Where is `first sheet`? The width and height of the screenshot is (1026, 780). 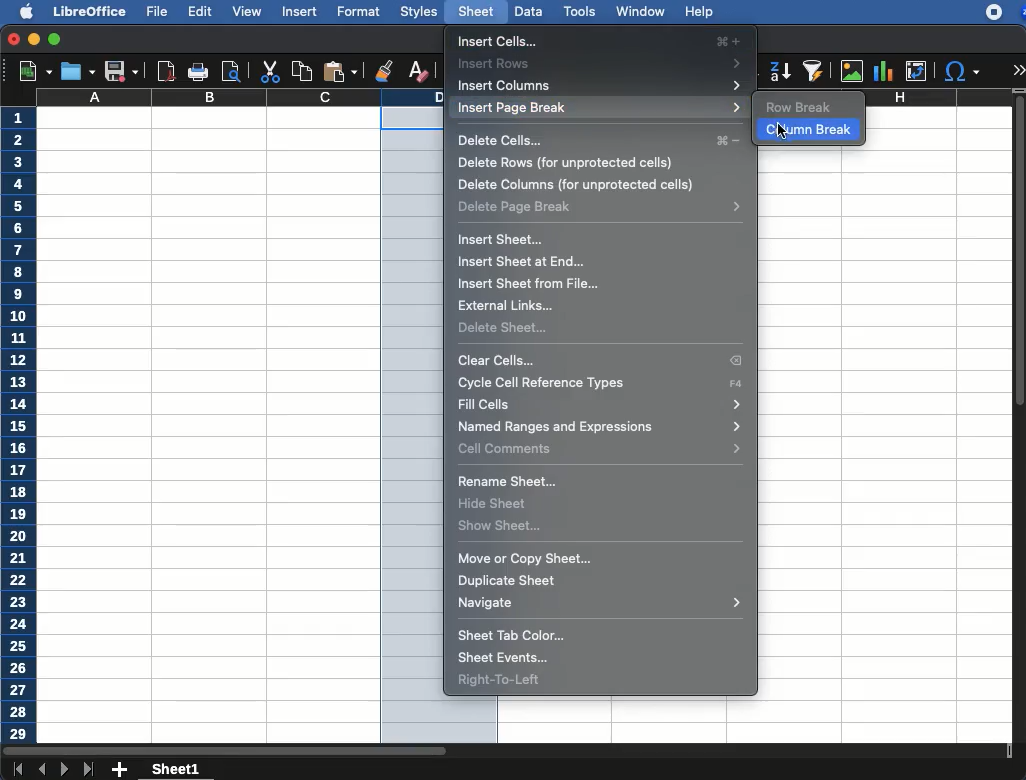 first sheet is located at coordinates (17, 770).